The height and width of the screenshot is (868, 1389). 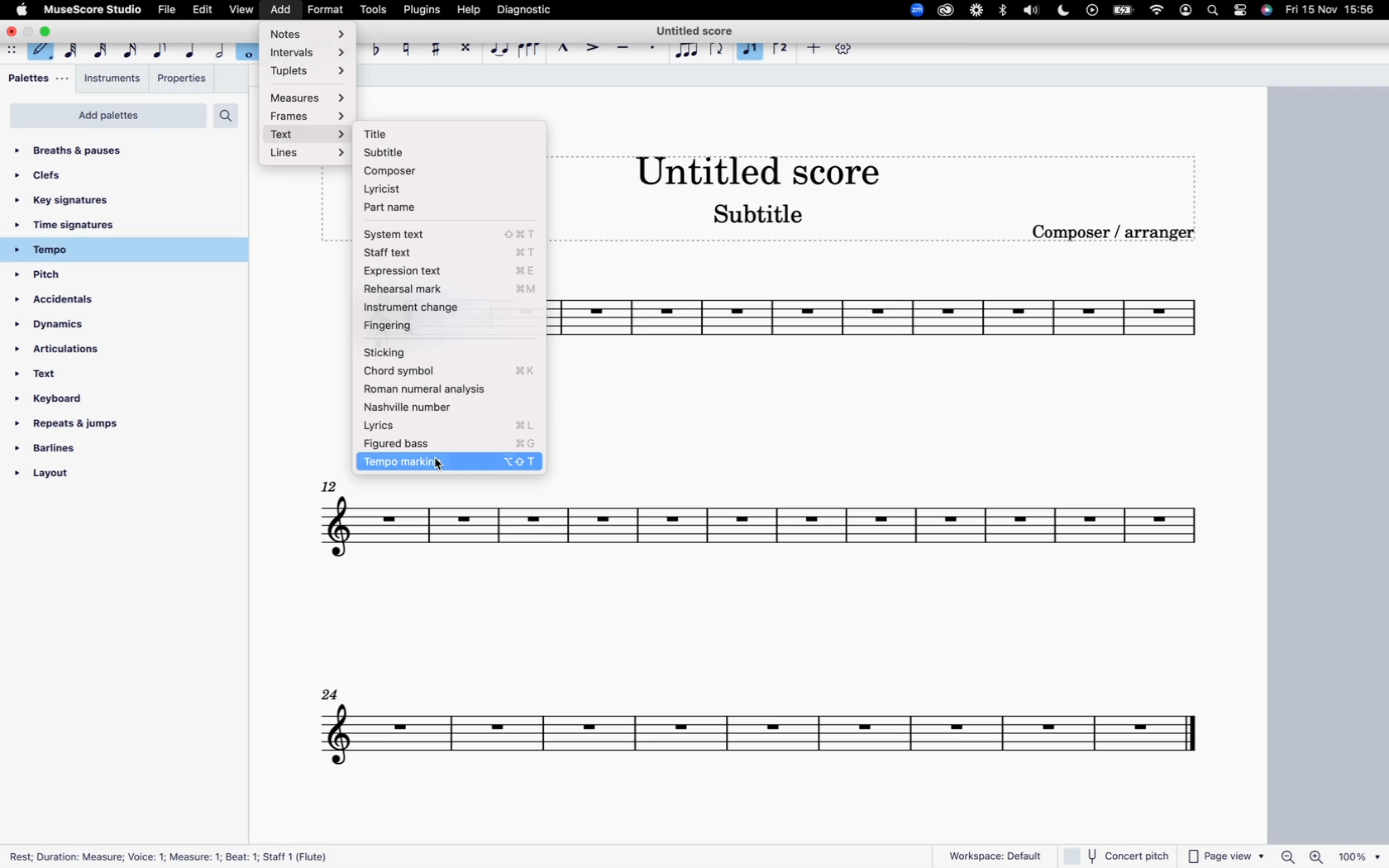 I want to click on figured bass, so click(x=451, y=443).